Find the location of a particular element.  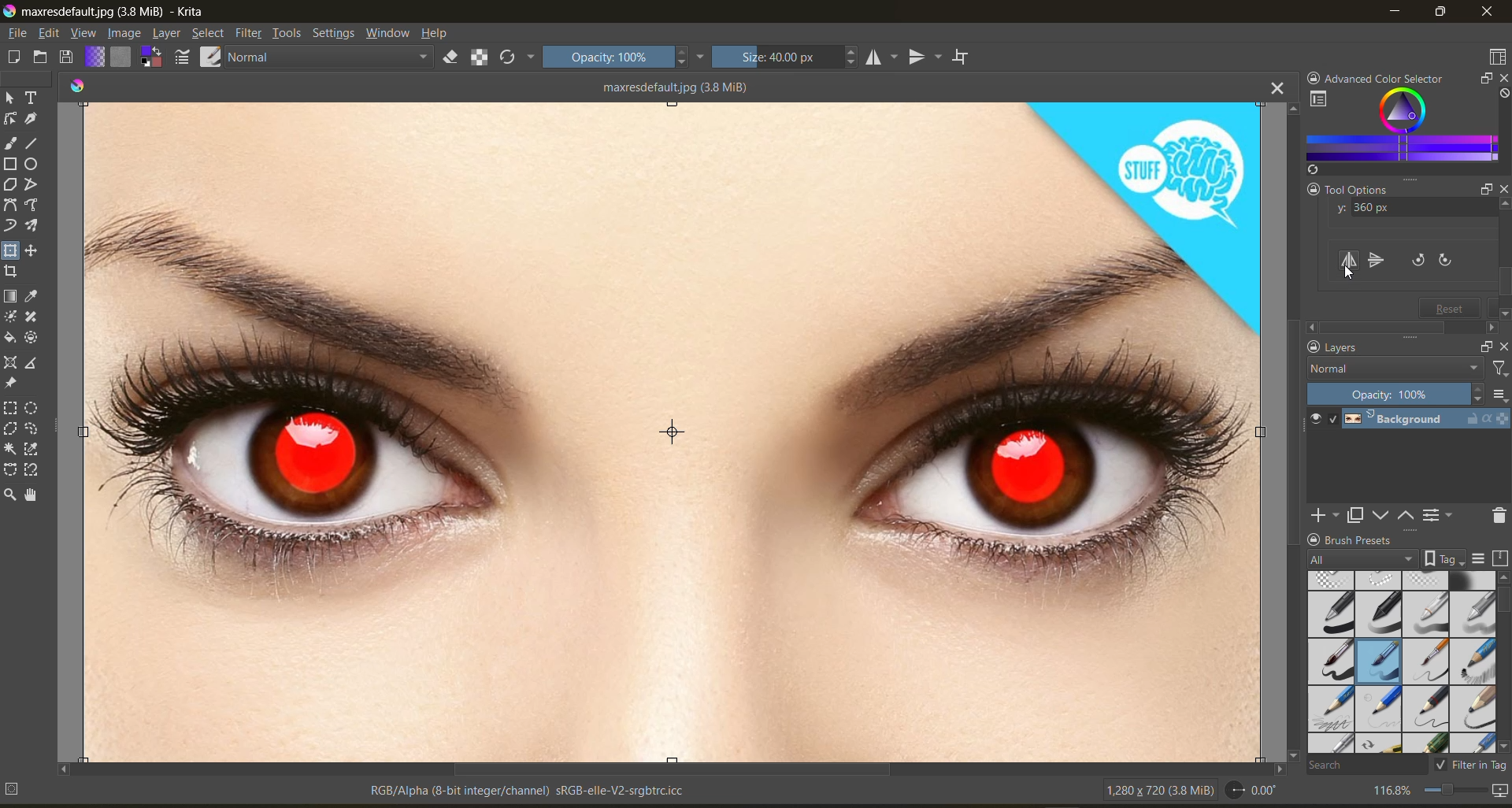

tool is located at coordinates (31, 250).